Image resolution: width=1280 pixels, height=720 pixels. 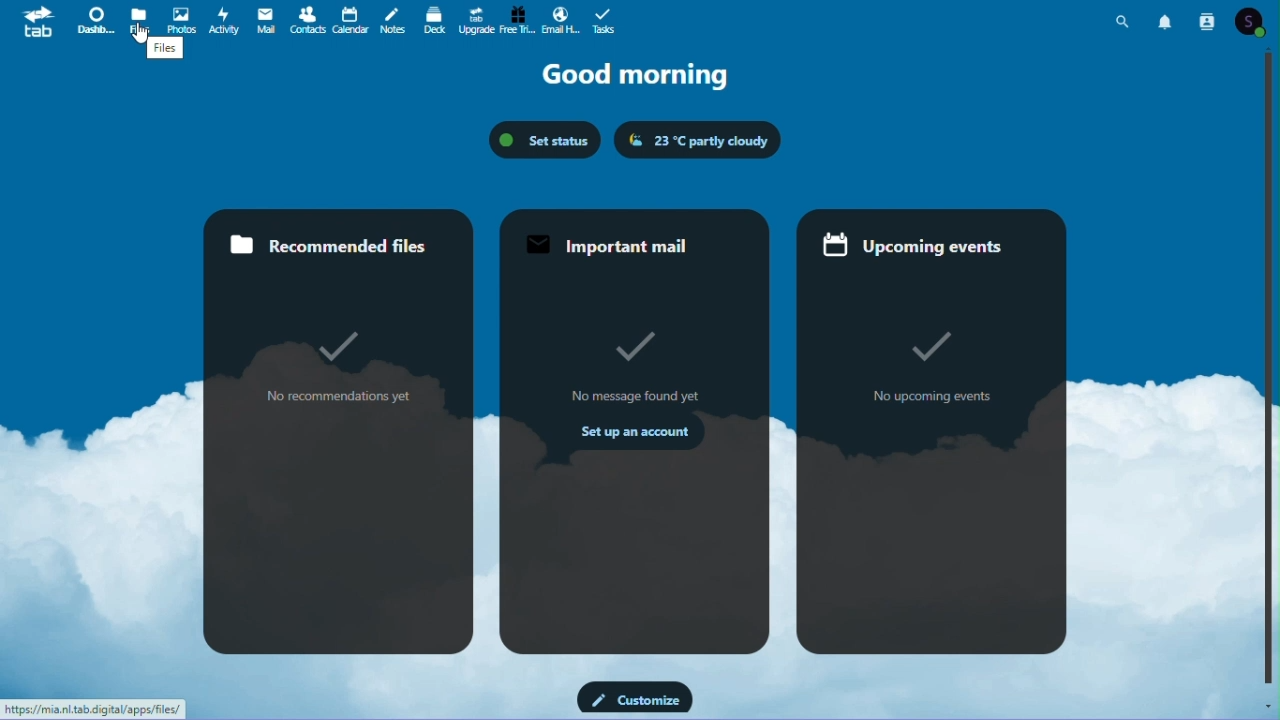 What do you see at coordinates (94, 19) in the screenshot?
I see `Dashboard` at bounding box center [94, 19].